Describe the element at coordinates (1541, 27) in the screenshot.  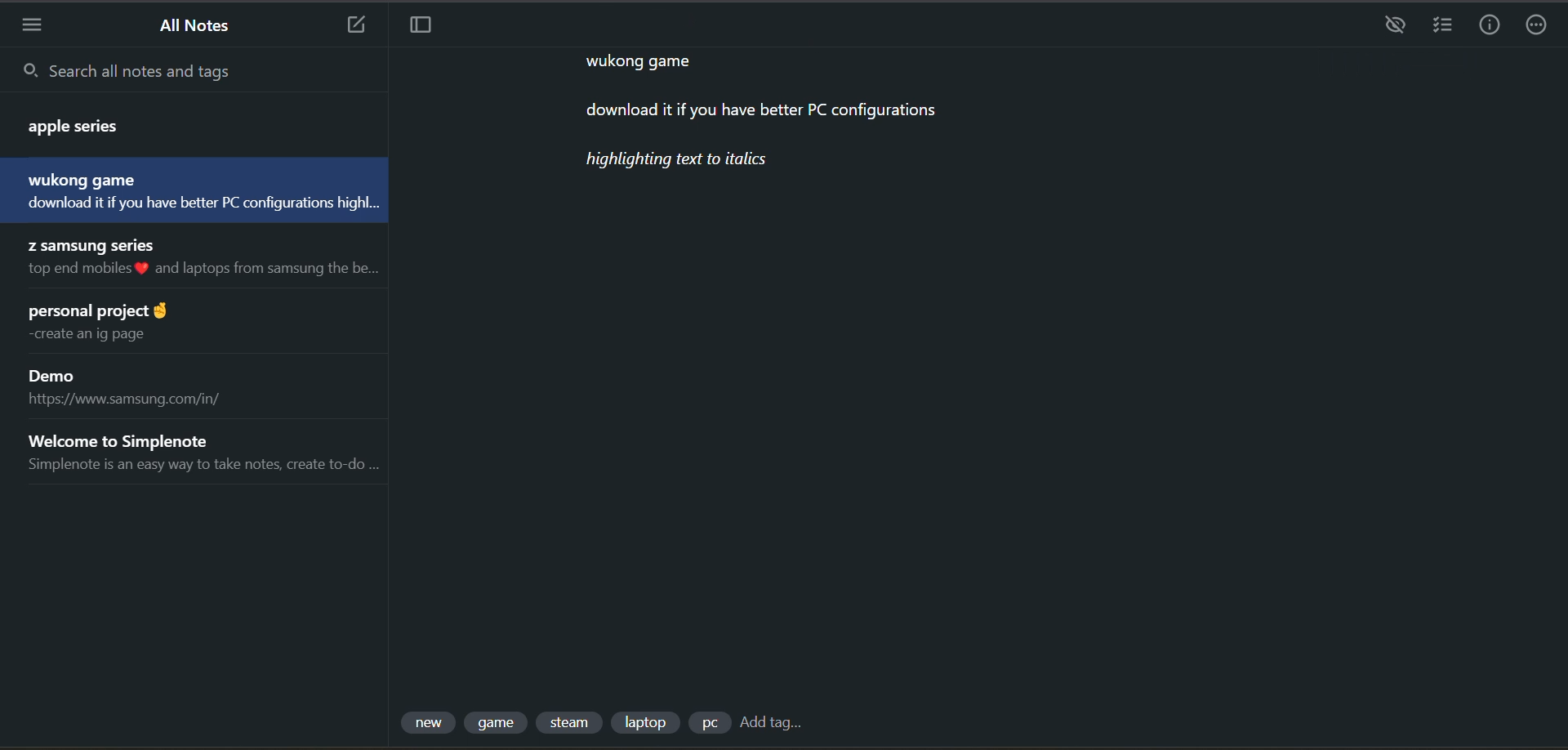
I see `actions` at that location.